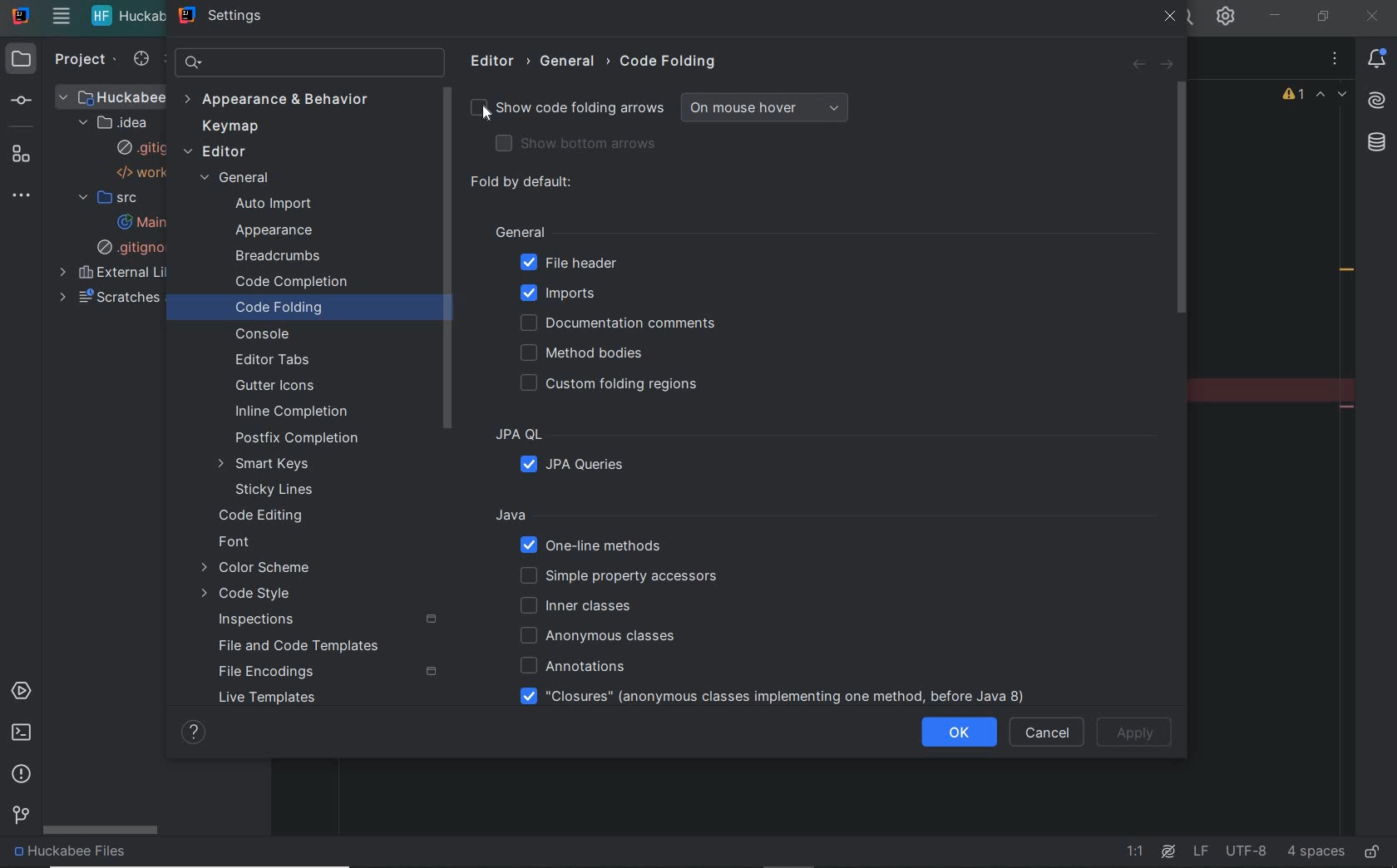 This screenshot has width=1397, height=868. Describe the element at coordinates (613, 233) in the screenshot. I see `General` at that location.